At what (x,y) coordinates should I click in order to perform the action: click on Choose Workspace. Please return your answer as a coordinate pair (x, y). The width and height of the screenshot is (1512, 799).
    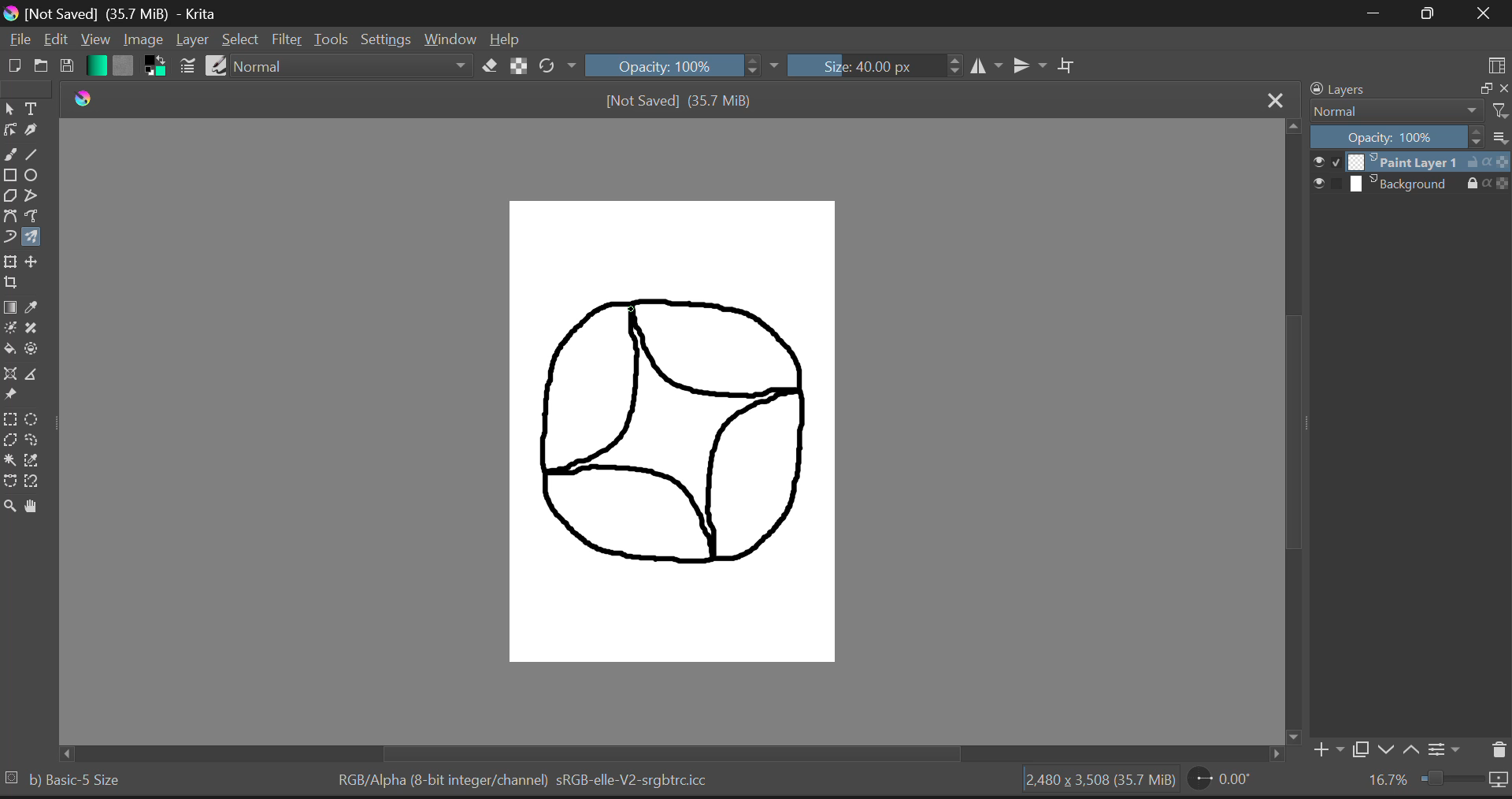
    Looking at the image, I should click on (1497, 67).